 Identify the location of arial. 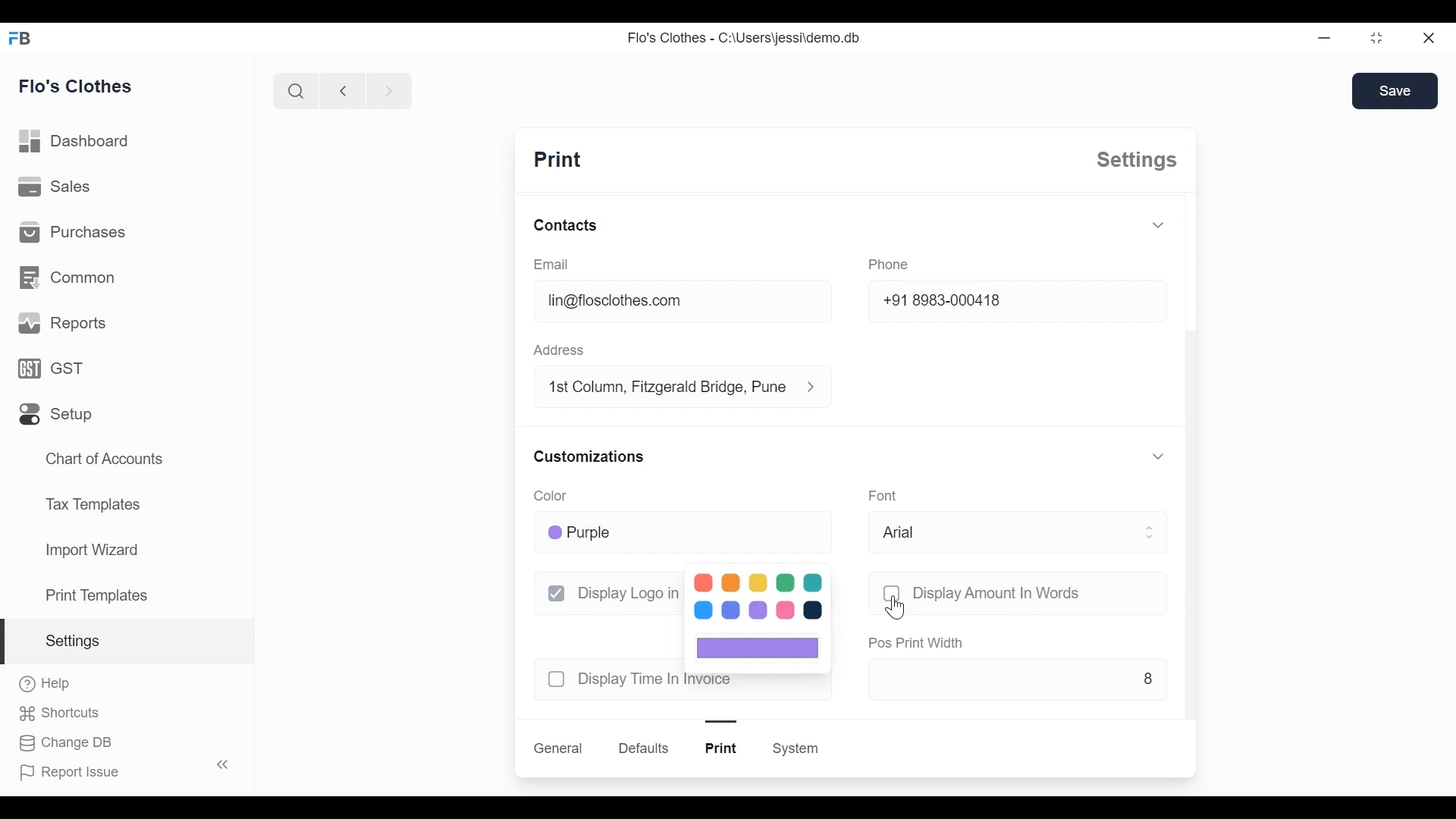
(1018, 532).